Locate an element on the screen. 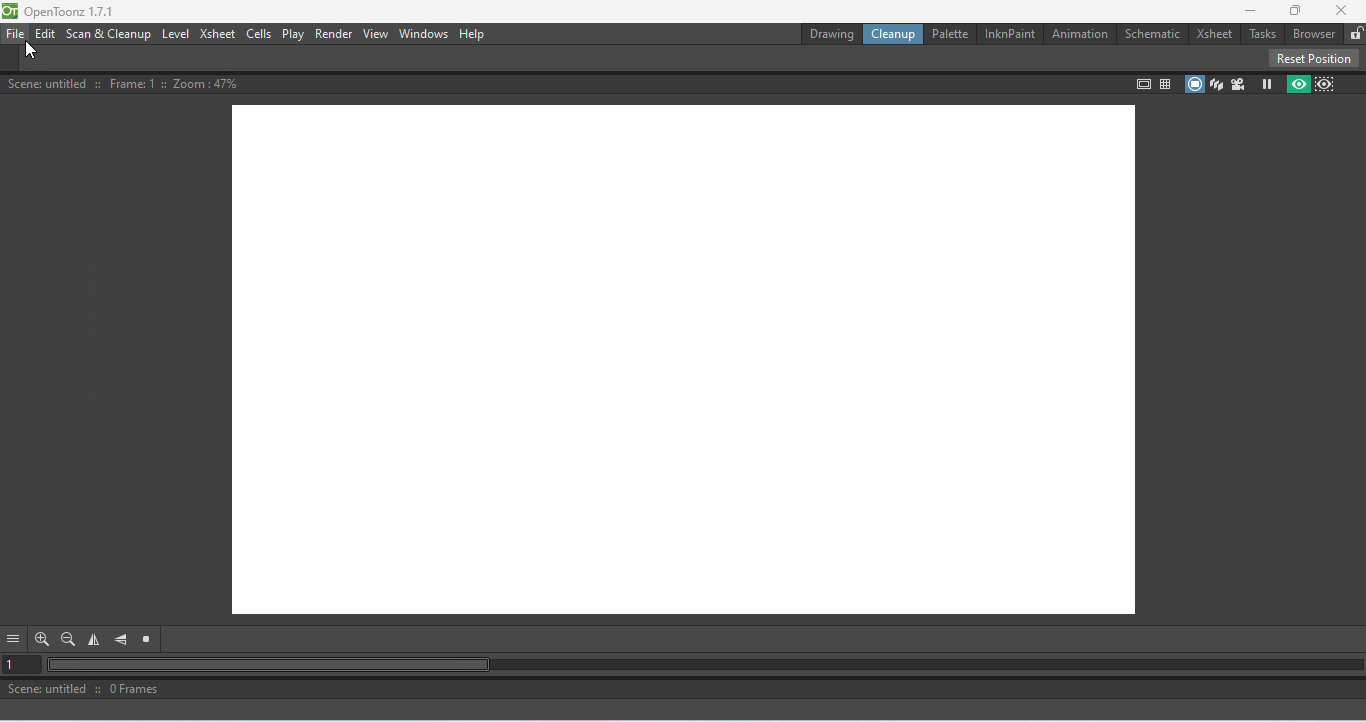 The width and height of the screenshot is (1366, 722). Zoom out is located at coordinates (68, 639).